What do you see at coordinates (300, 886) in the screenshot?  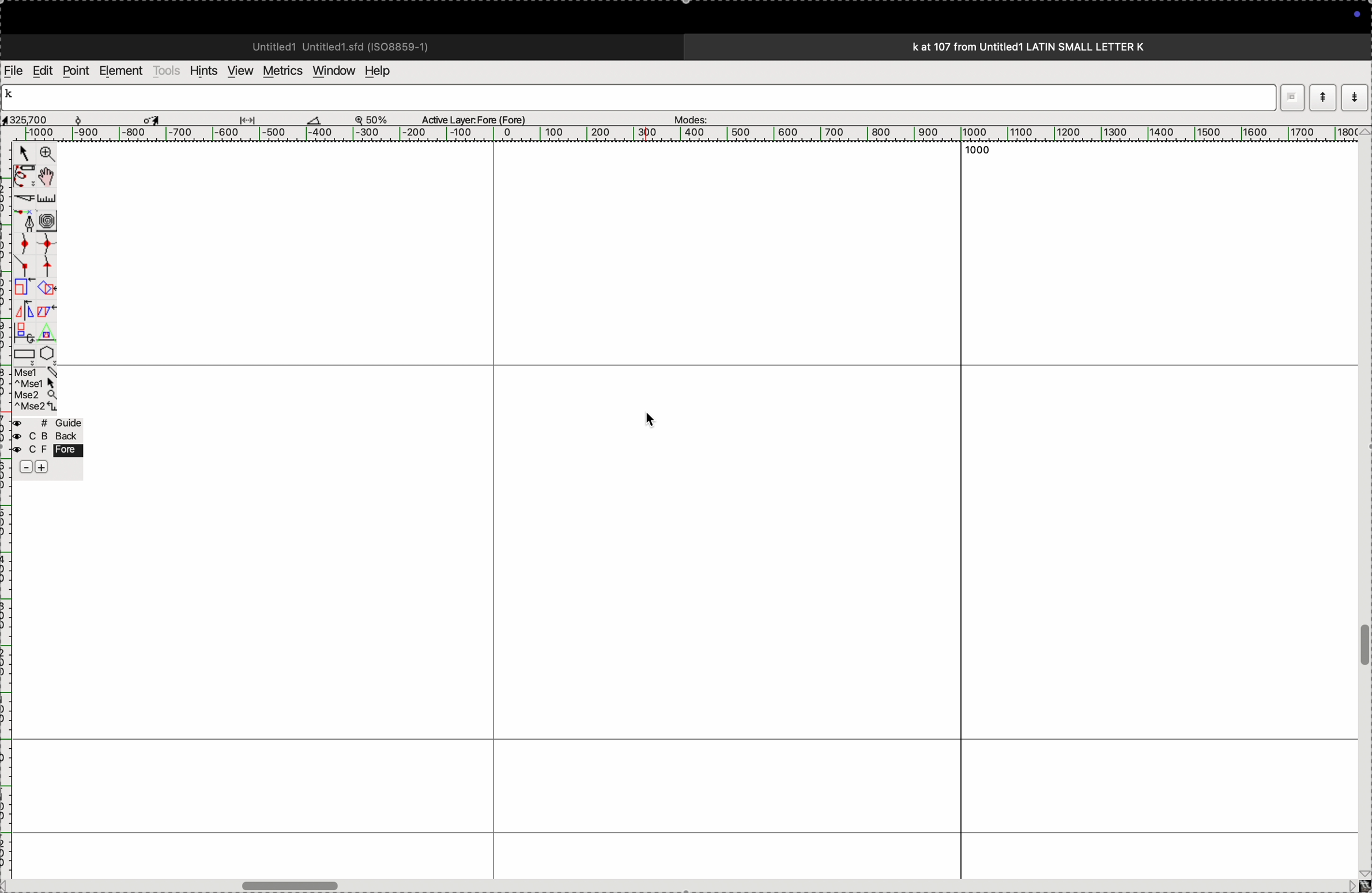 I see `toggle` at bounding box center [300, 886].